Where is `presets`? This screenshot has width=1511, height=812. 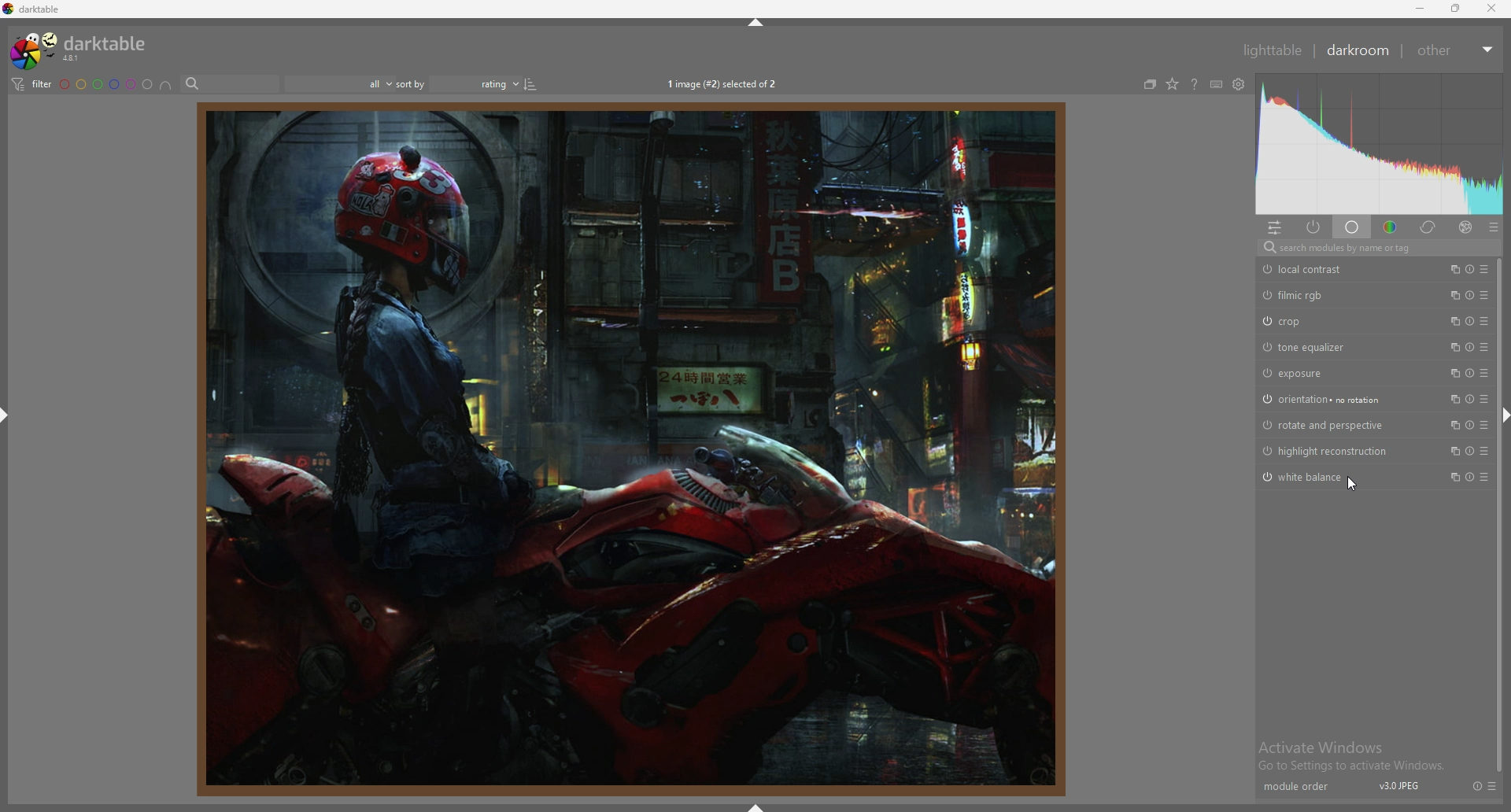
presets is located at coordinates (1484, 295).